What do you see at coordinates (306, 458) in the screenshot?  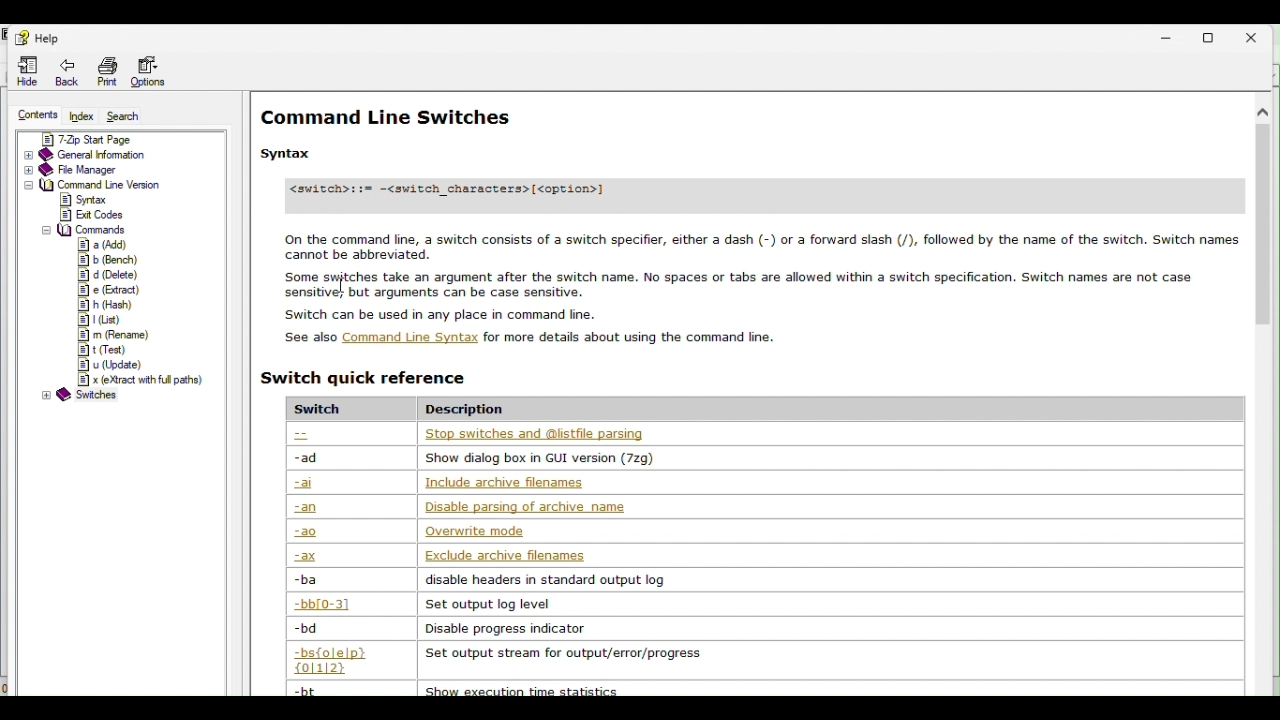 I see `-ad` at bounding box center [306, 458].